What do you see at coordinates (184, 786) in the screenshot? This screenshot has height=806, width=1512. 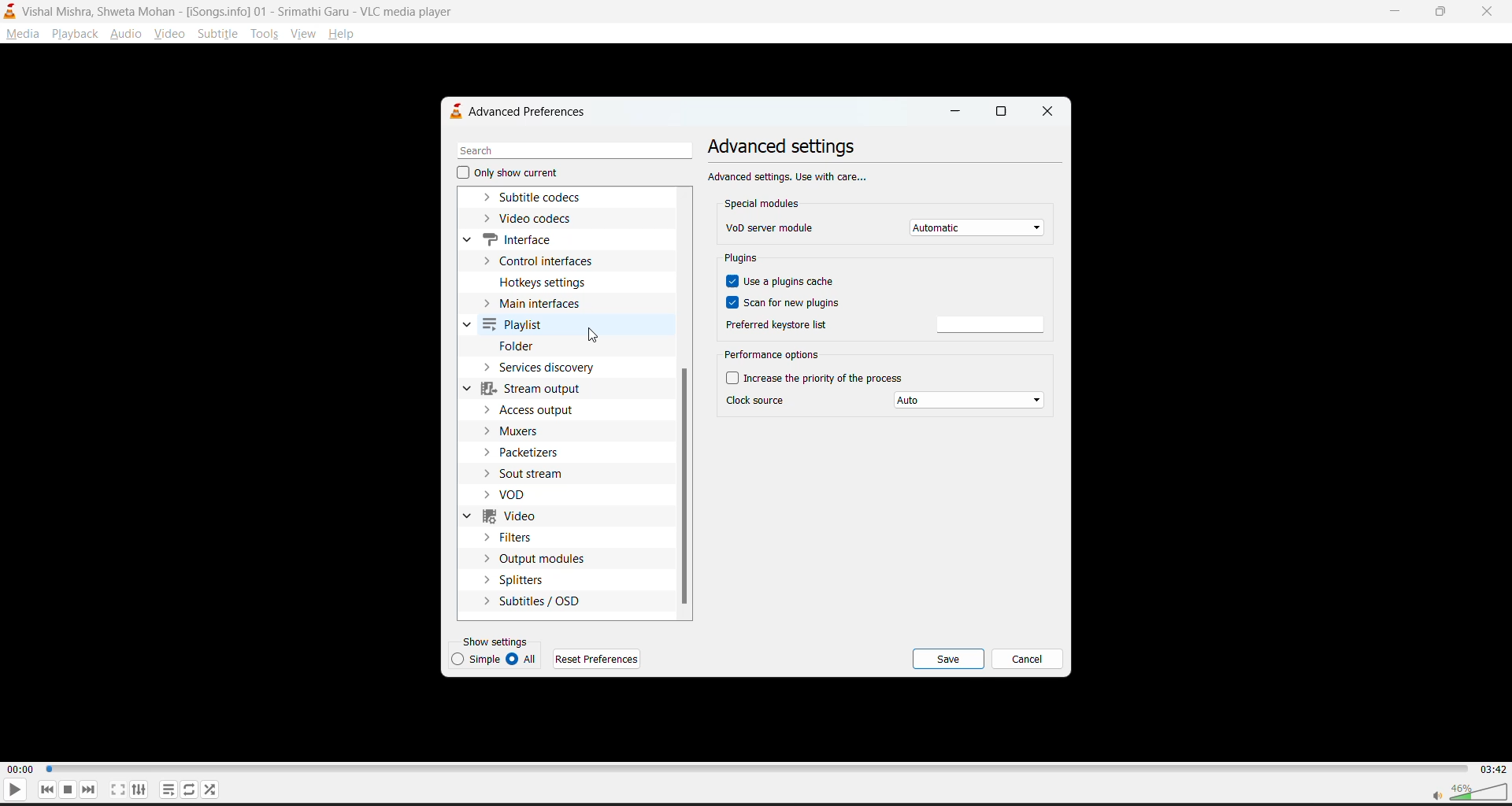 I see `loop` at bounding box center [184, 786].